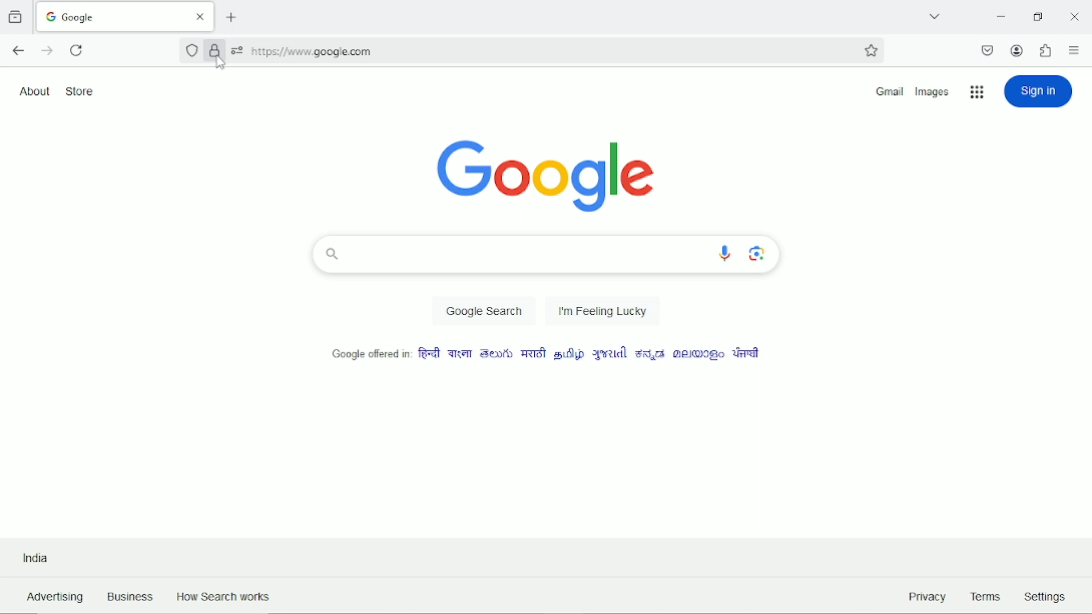 This screenshot has width=1092, height=614. Describe the element at coordinates (1074, 50) in the screenshot. I see `Open application menu` at that location.